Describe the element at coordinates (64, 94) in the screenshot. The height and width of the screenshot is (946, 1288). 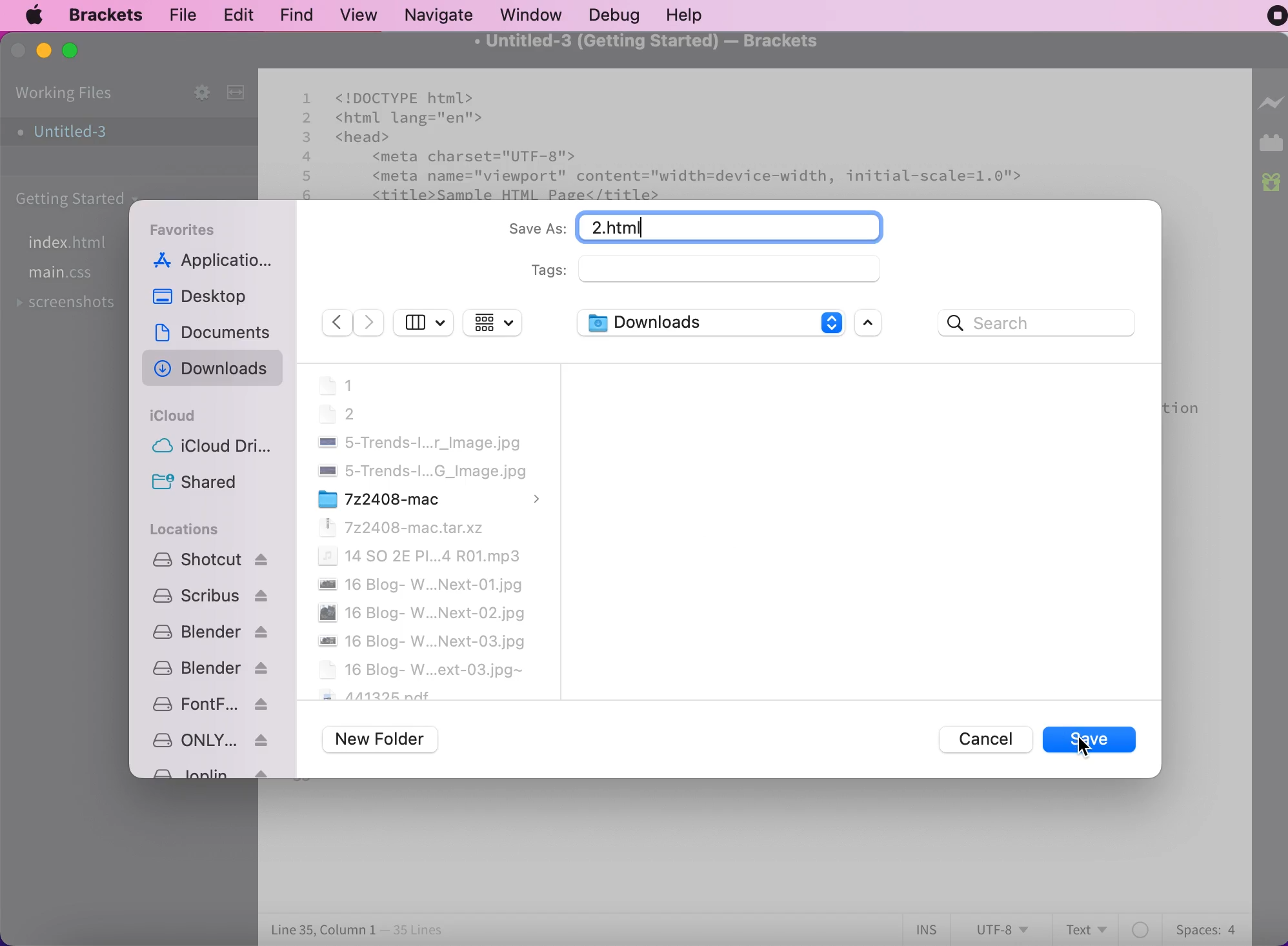
I see `working files` at that location.